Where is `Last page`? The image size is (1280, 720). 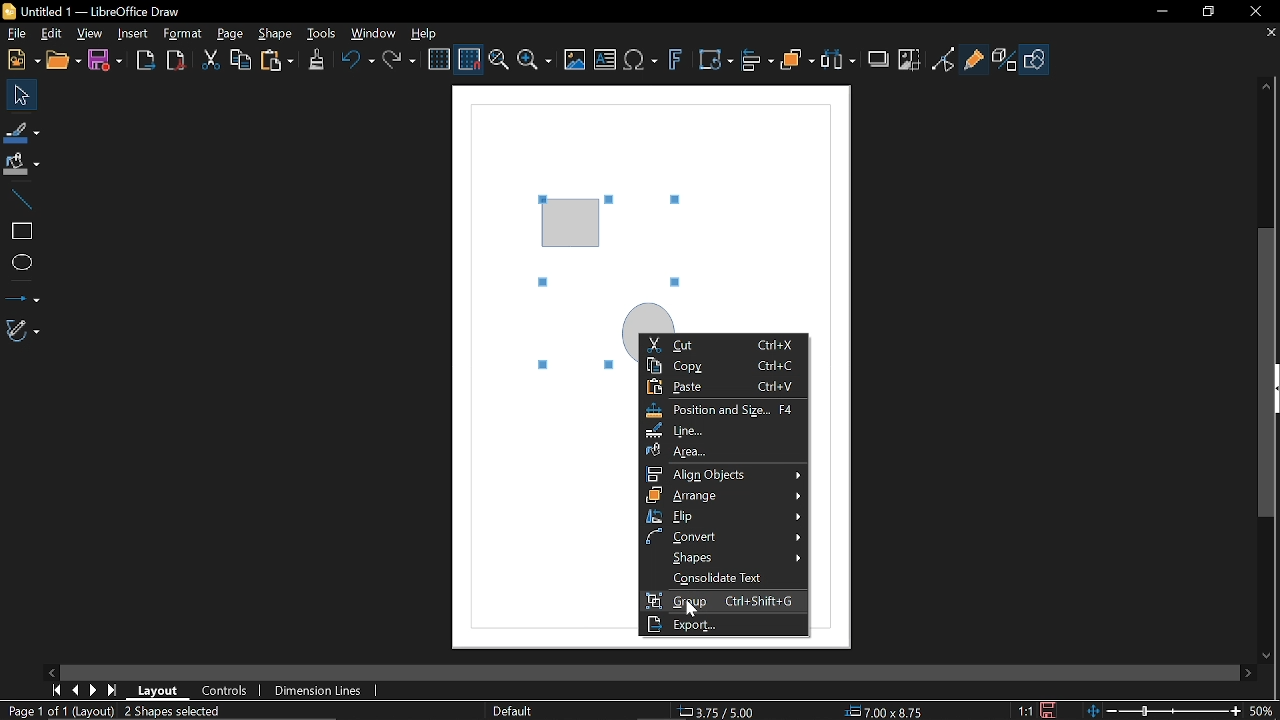 Last page is located at coordinates (115, 691).